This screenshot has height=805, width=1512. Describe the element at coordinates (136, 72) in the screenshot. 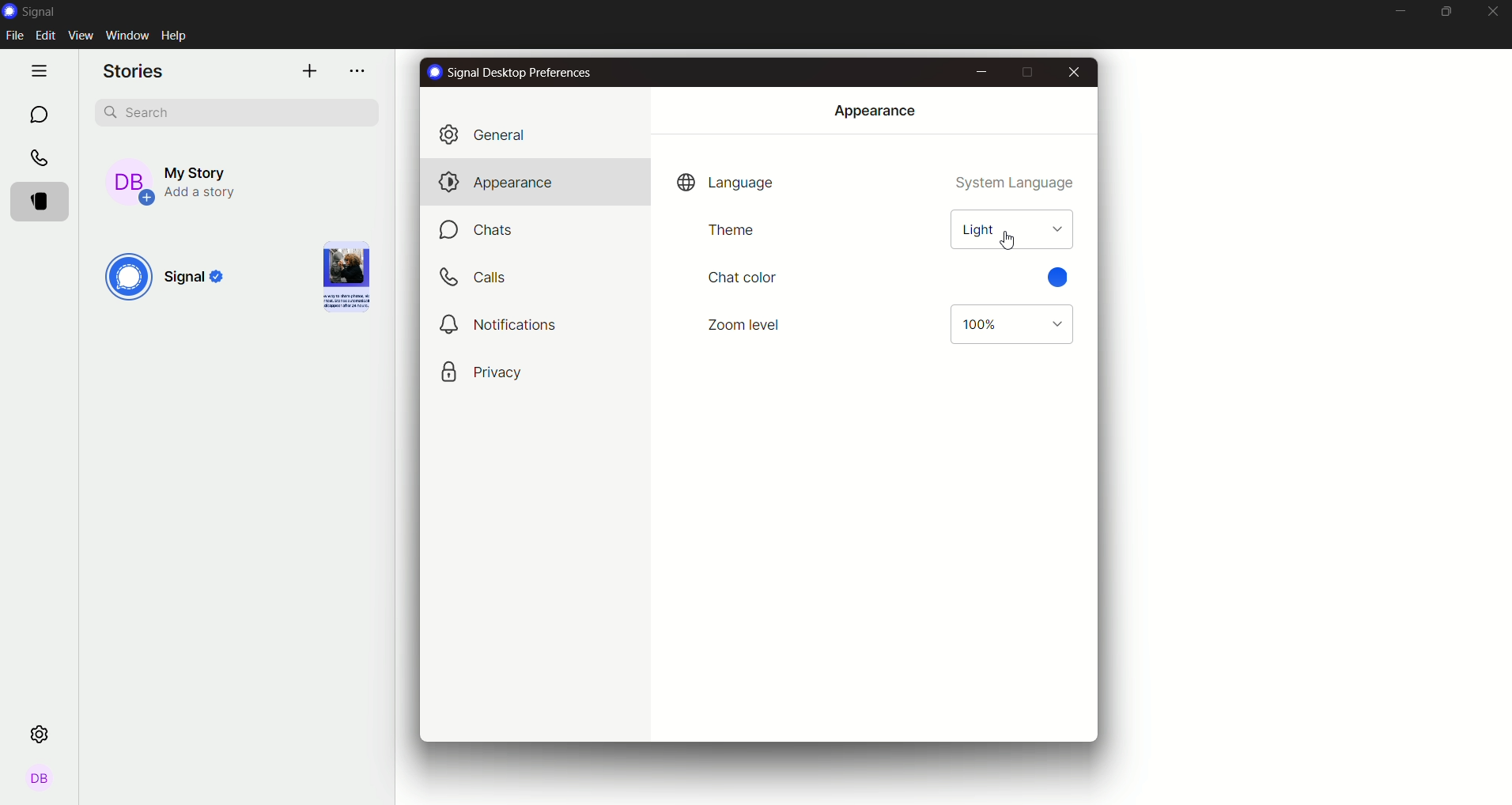

I see `stories` at that location.